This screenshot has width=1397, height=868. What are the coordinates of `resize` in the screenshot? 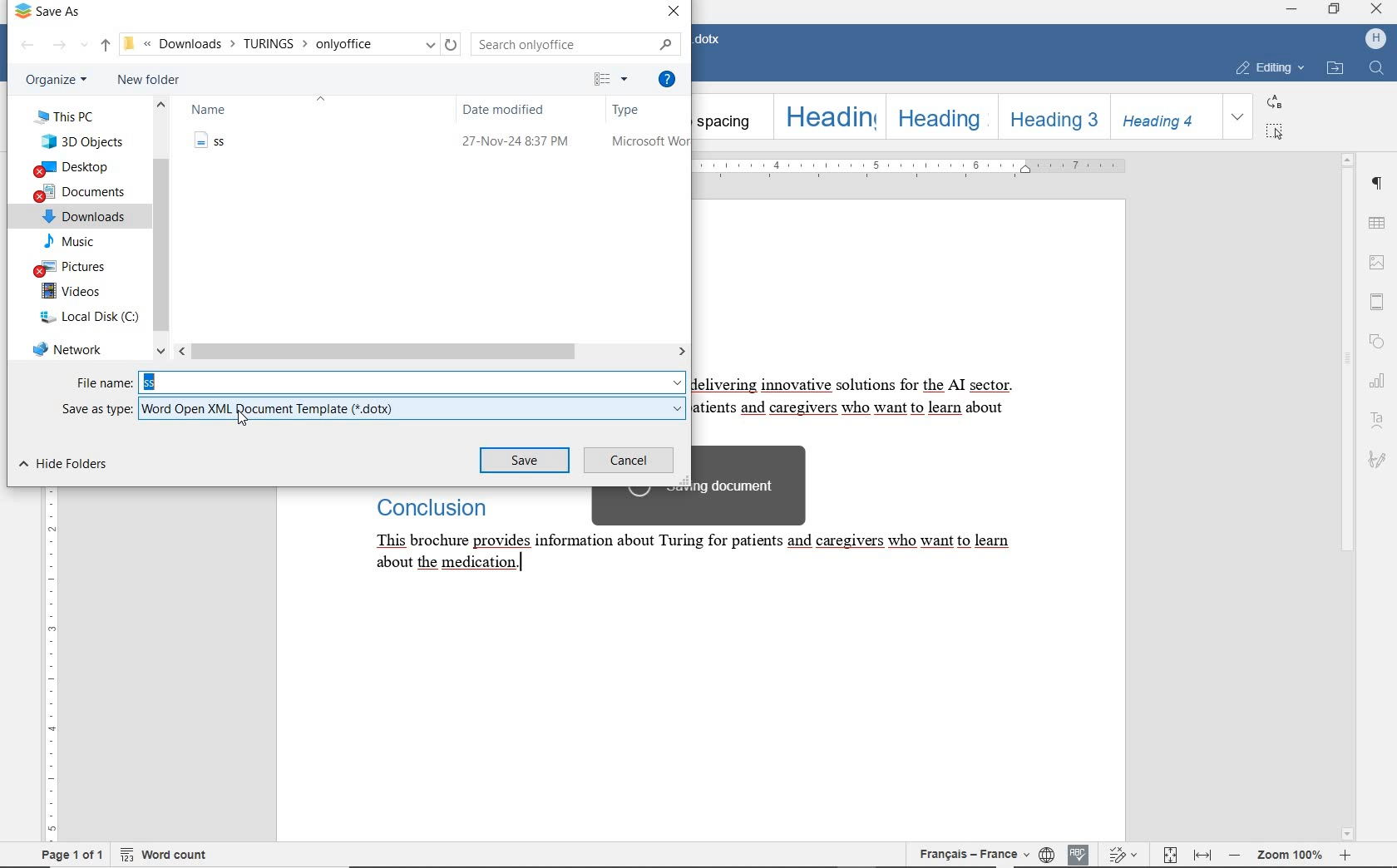 It's located at (684, 482).